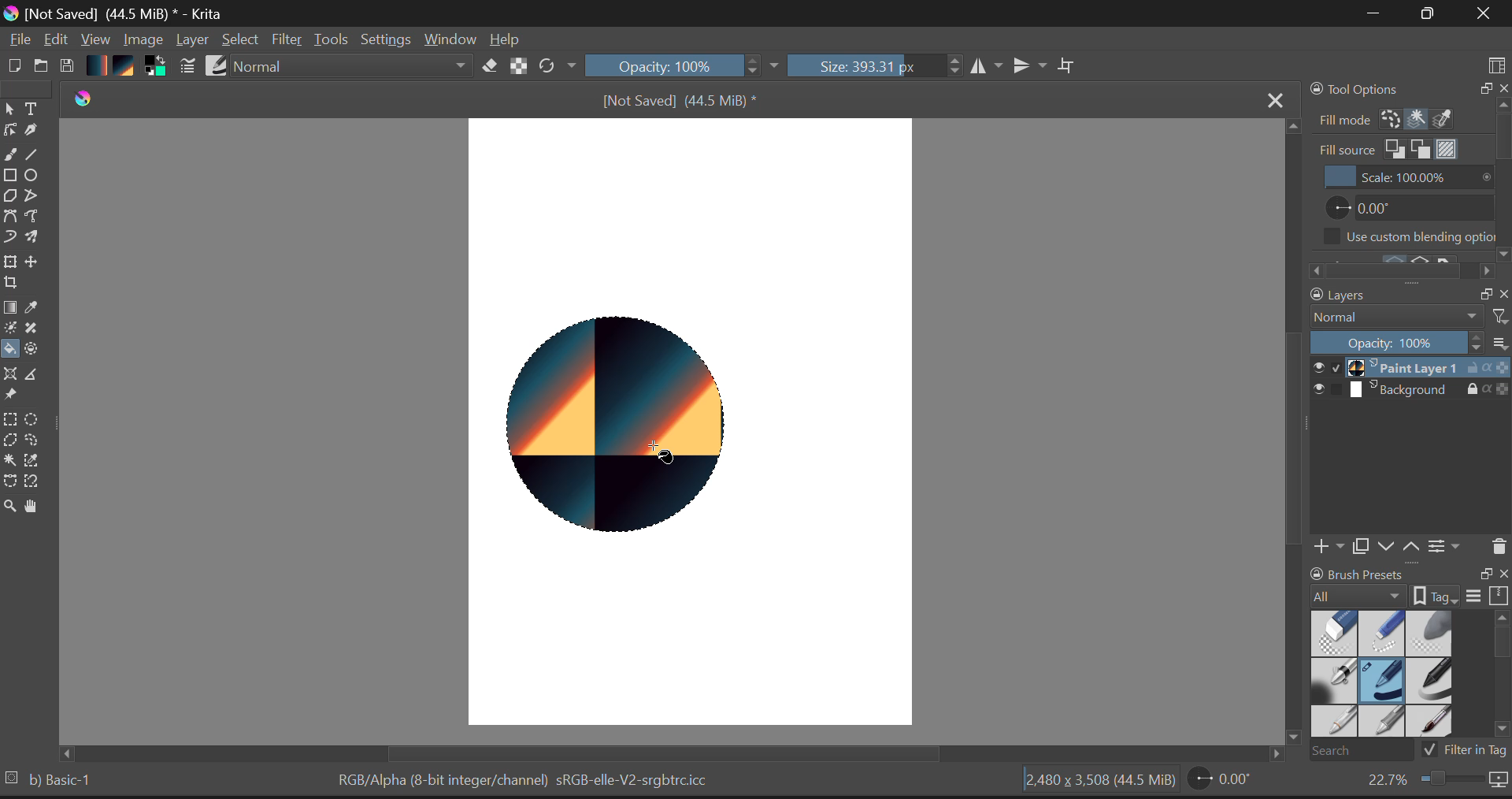  What do you see at coordinates (32, 109) in the screenshot?
I see `Text` at bounding box center [32, 109].